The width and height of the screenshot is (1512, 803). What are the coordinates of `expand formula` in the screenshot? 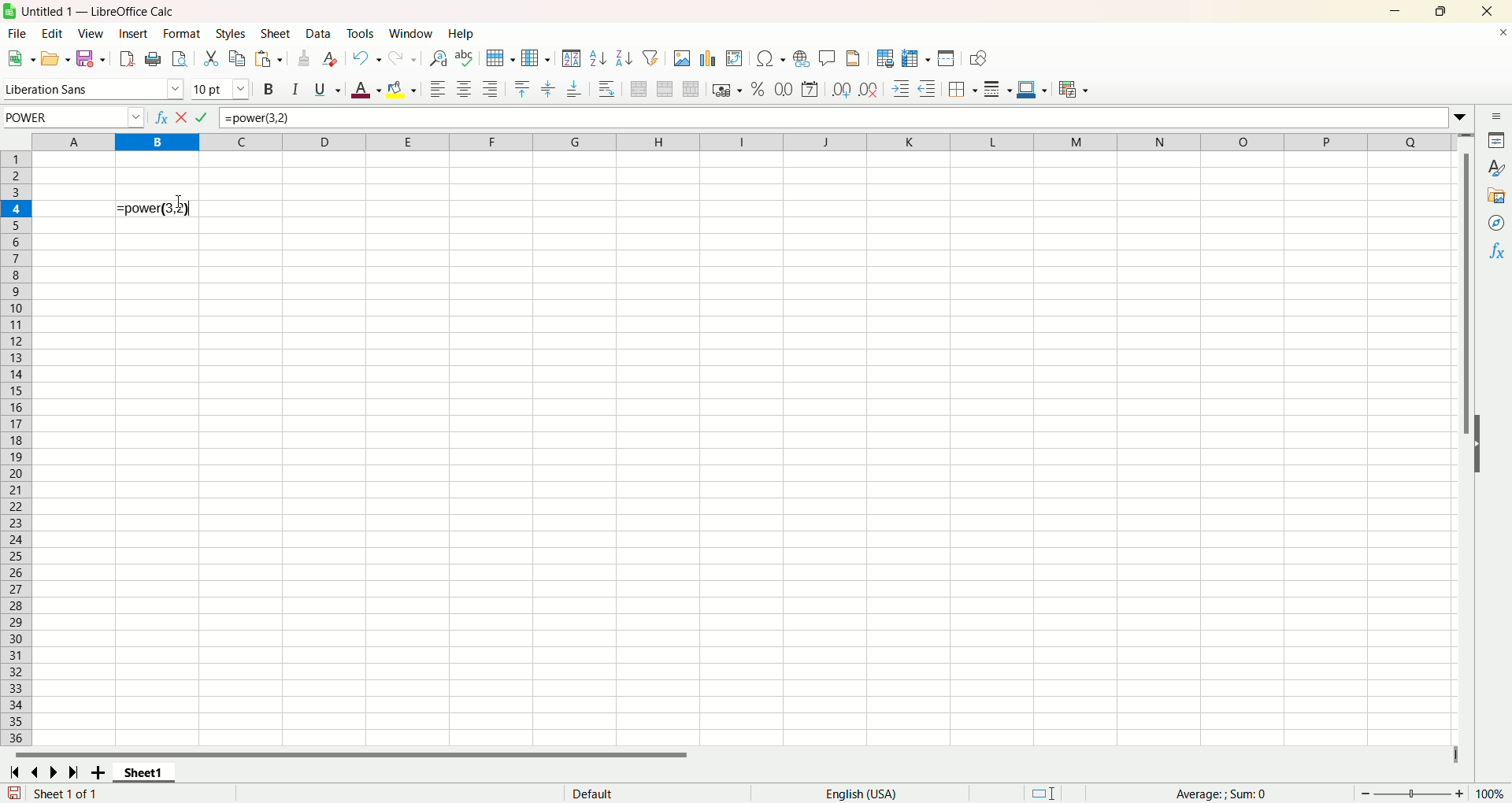 It's located at (1462, 114).